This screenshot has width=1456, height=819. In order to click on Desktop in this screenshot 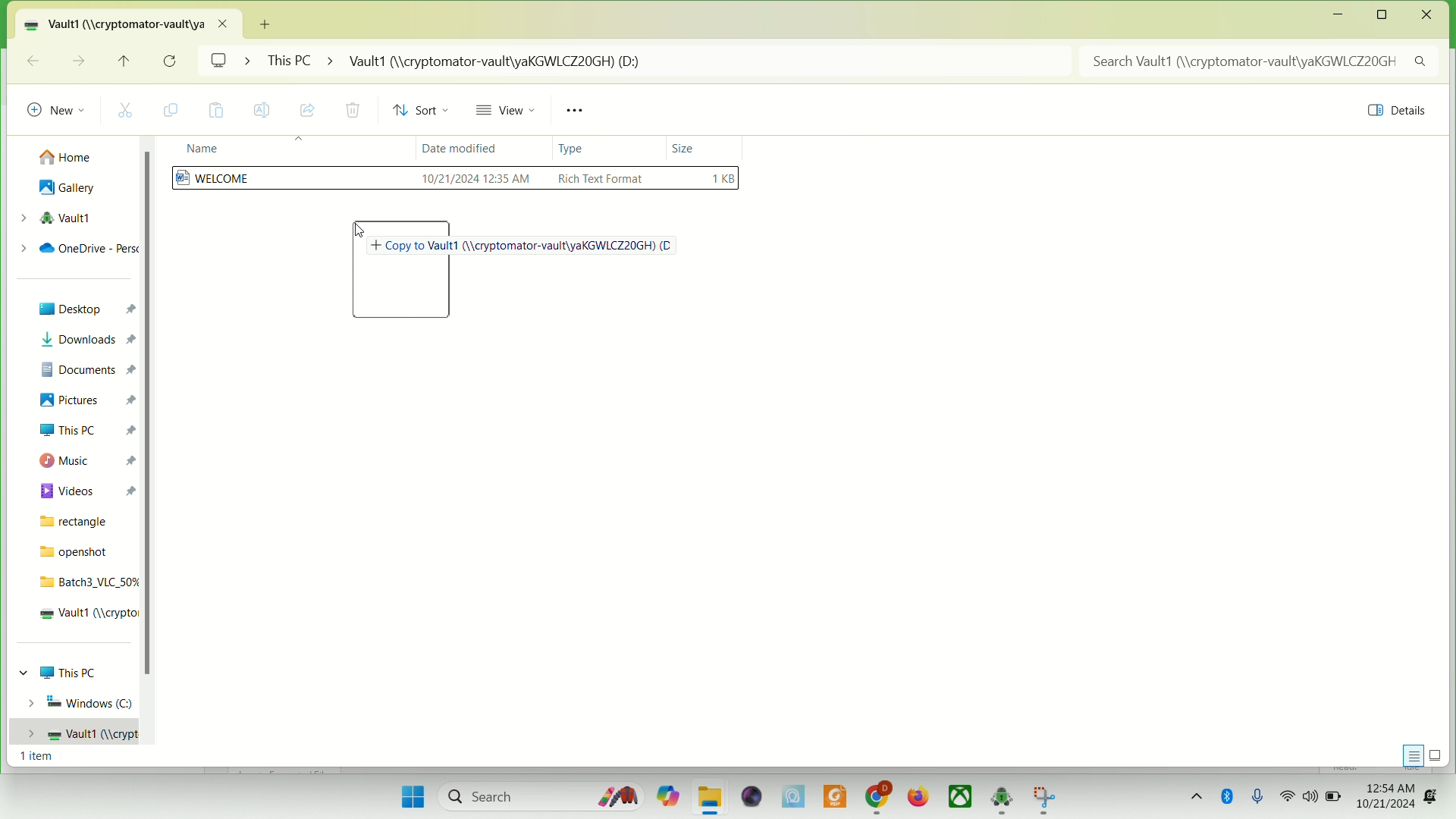, I will do `click(83, 310)`.